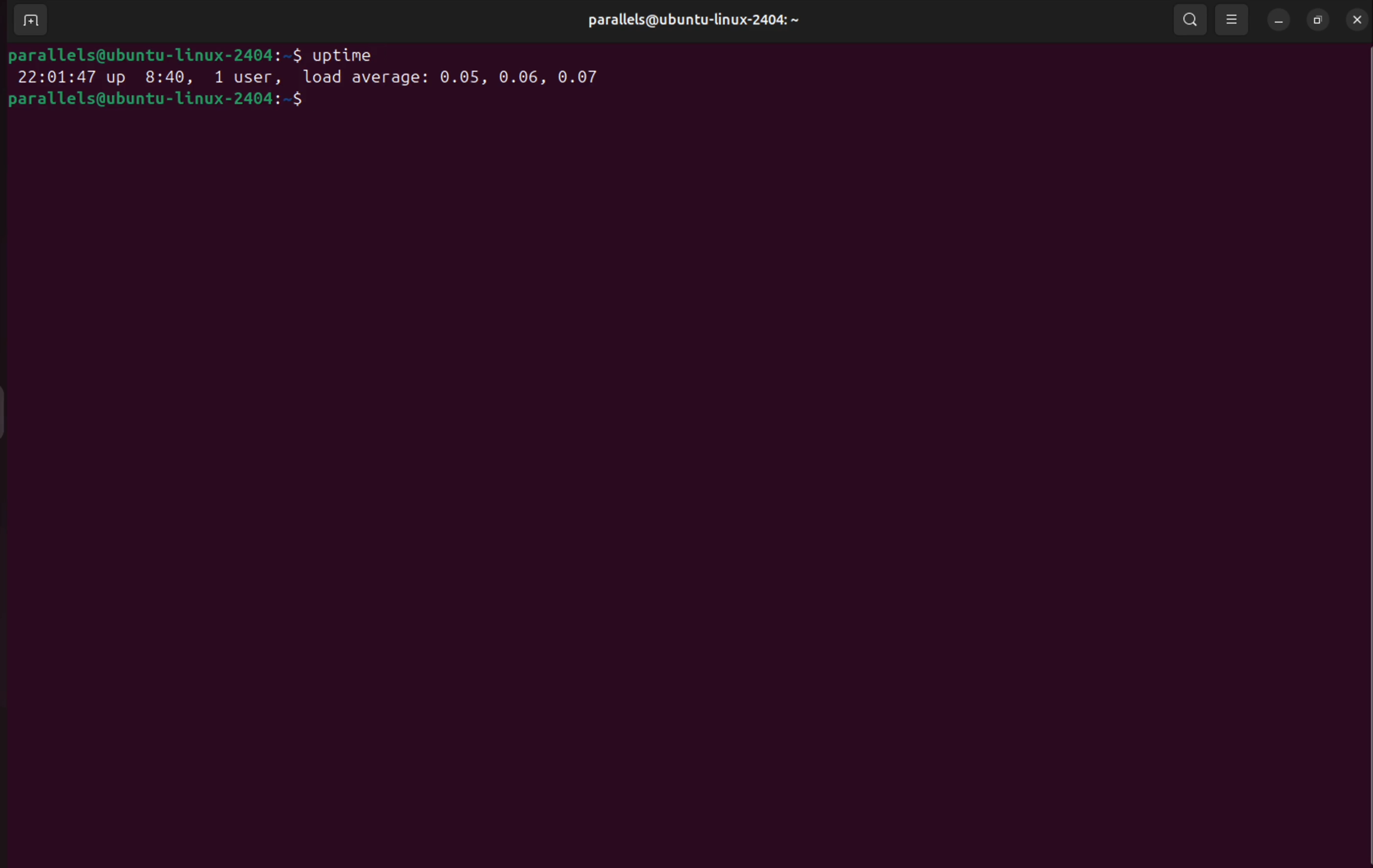 The image size is (1373, 868). What do you see at coordinates (364, 76) in the screenshot?
I see `load average` at bounding box center [364, 76].